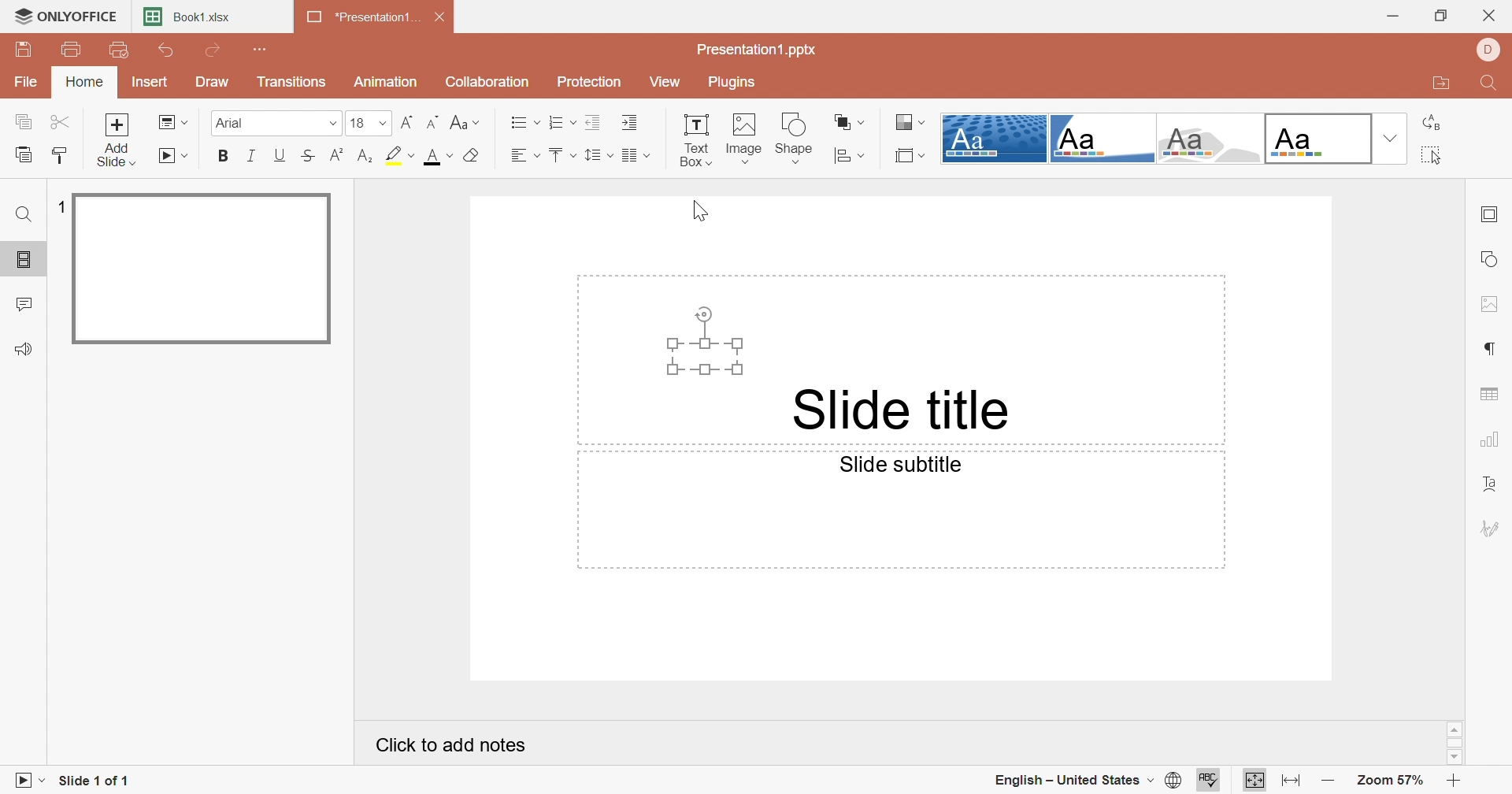 Image resolution: width=1512 pixels, height=794 pixels. I want to click on Line spacing, so click(596, 155).